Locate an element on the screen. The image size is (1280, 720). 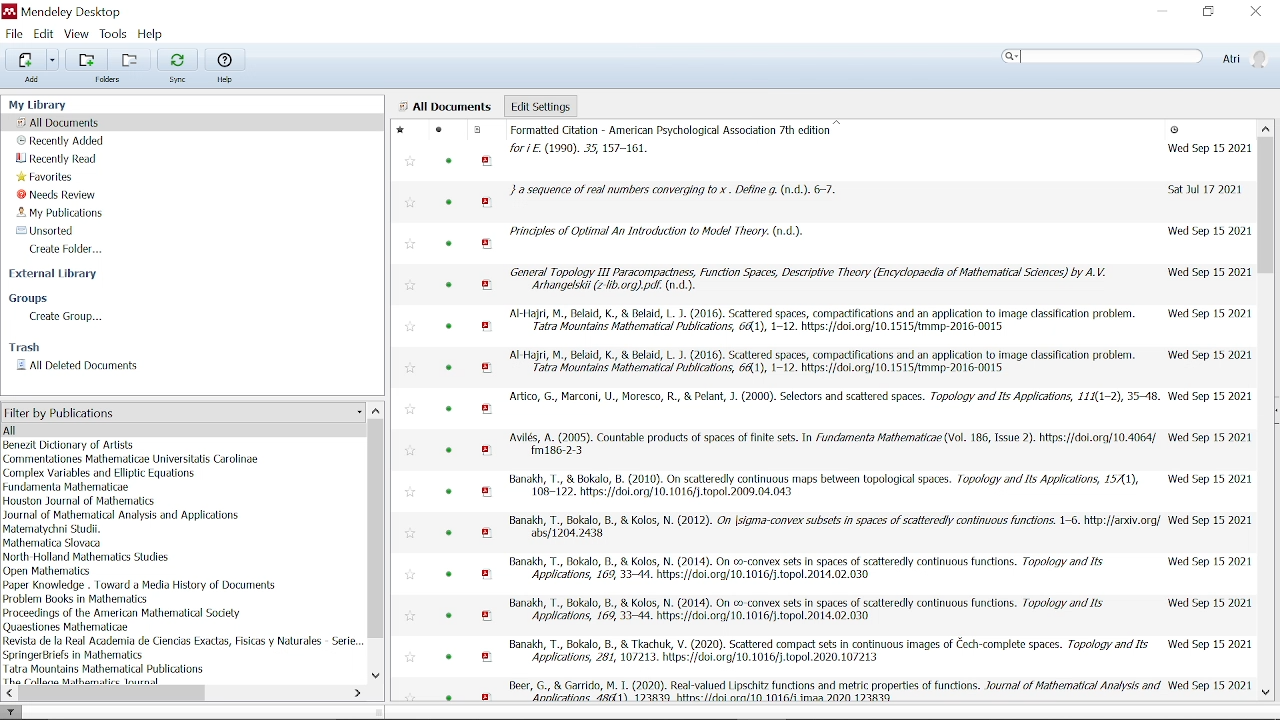
folders is located at coordinates (109, 82).